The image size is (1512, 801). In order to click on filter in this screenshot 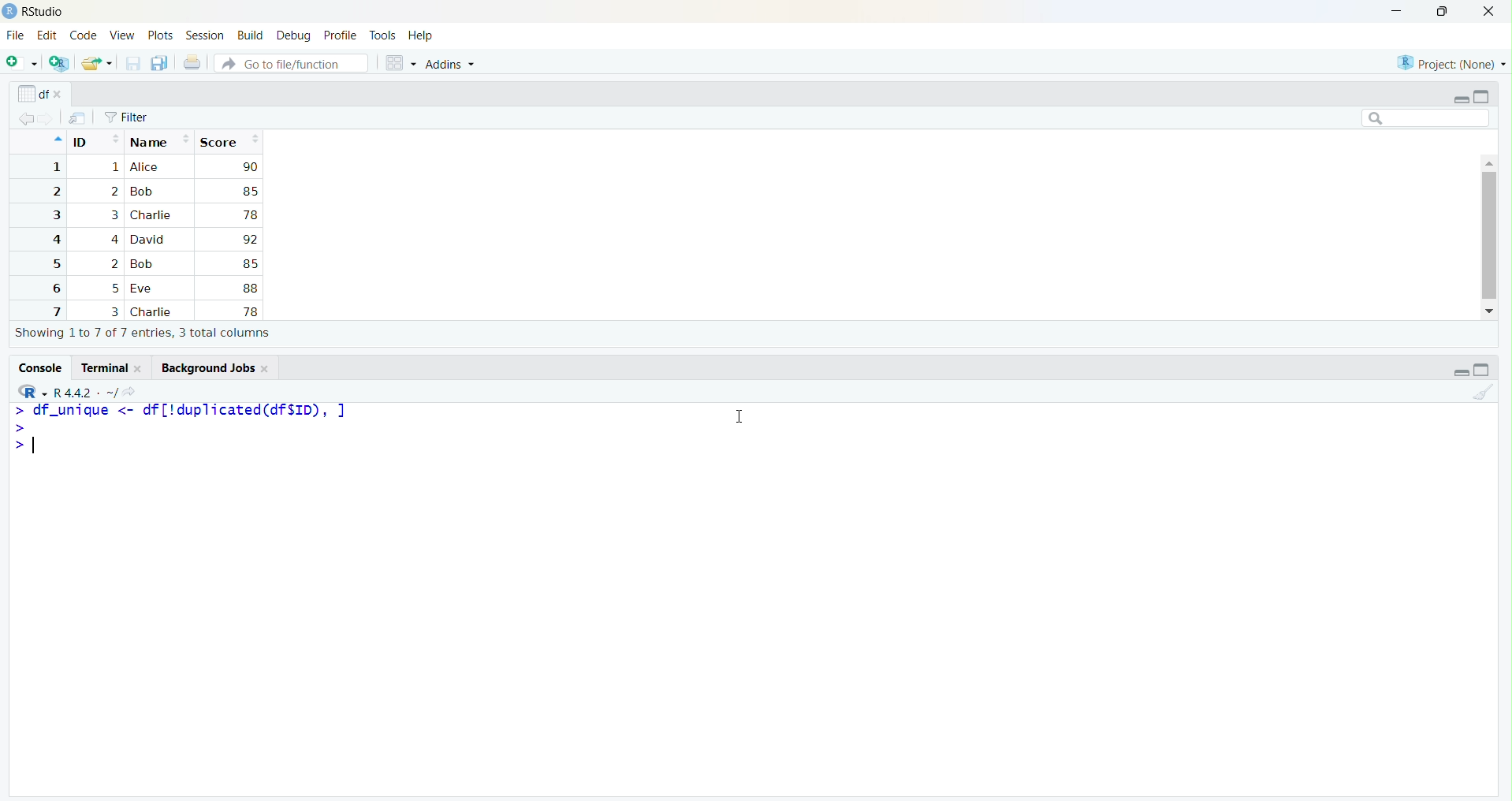, I will do `click(127, 117)`.